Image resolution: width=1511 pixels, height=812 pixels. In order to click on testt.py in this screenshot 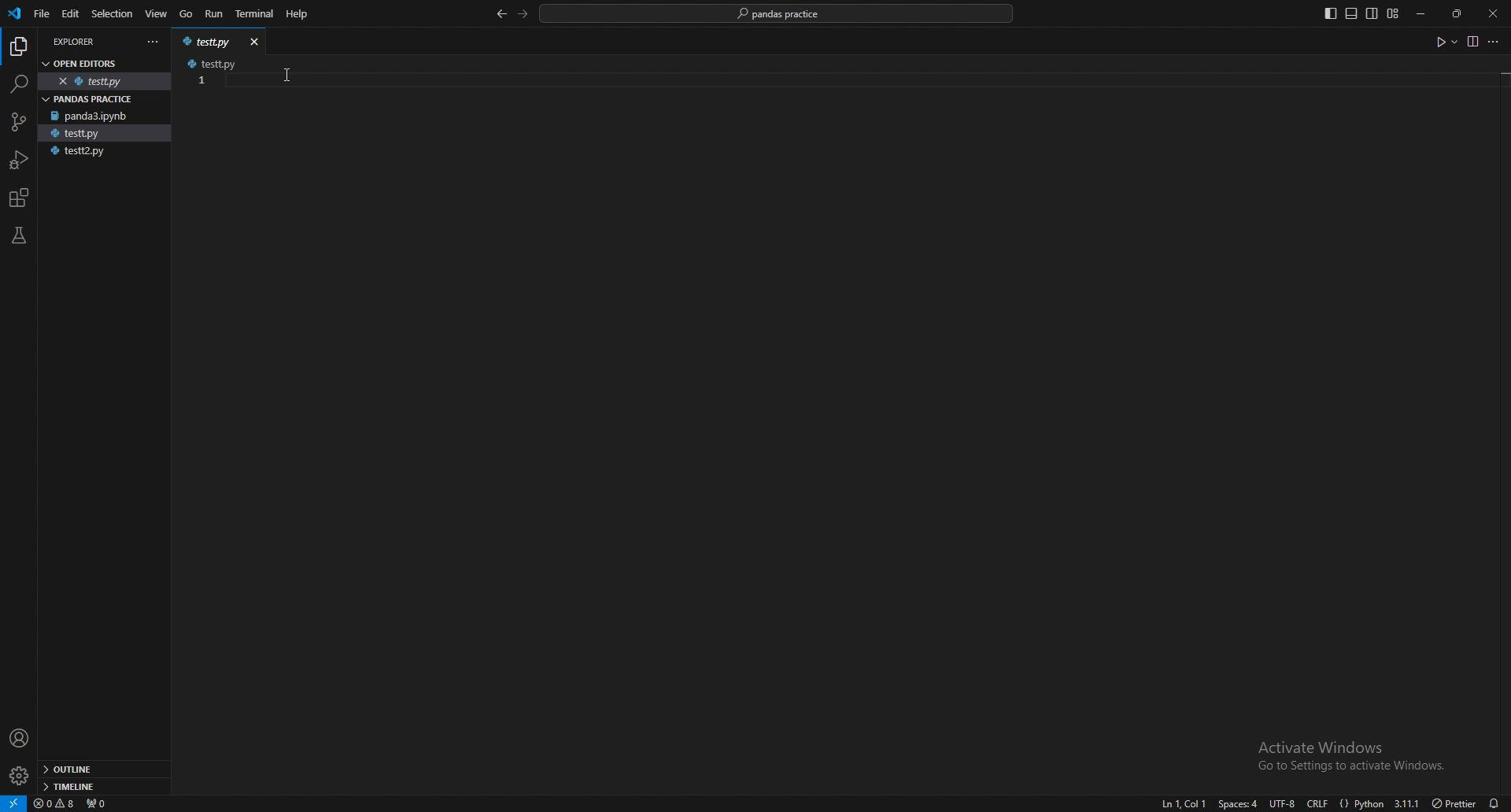, I will do `click(95, 80)`.